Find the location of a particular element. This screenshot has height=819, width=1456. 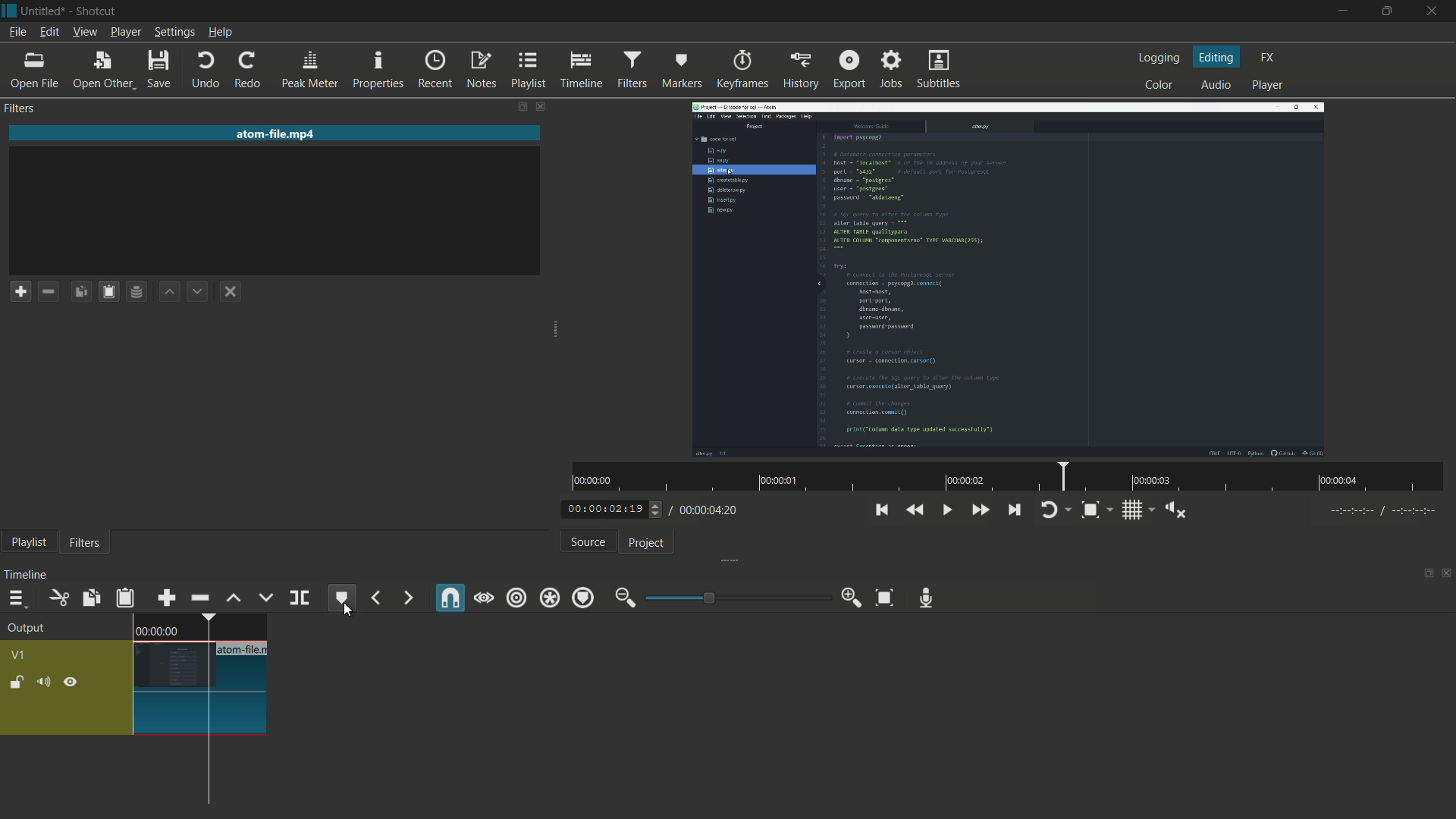

imported file name is located at coordinates (276, 133).